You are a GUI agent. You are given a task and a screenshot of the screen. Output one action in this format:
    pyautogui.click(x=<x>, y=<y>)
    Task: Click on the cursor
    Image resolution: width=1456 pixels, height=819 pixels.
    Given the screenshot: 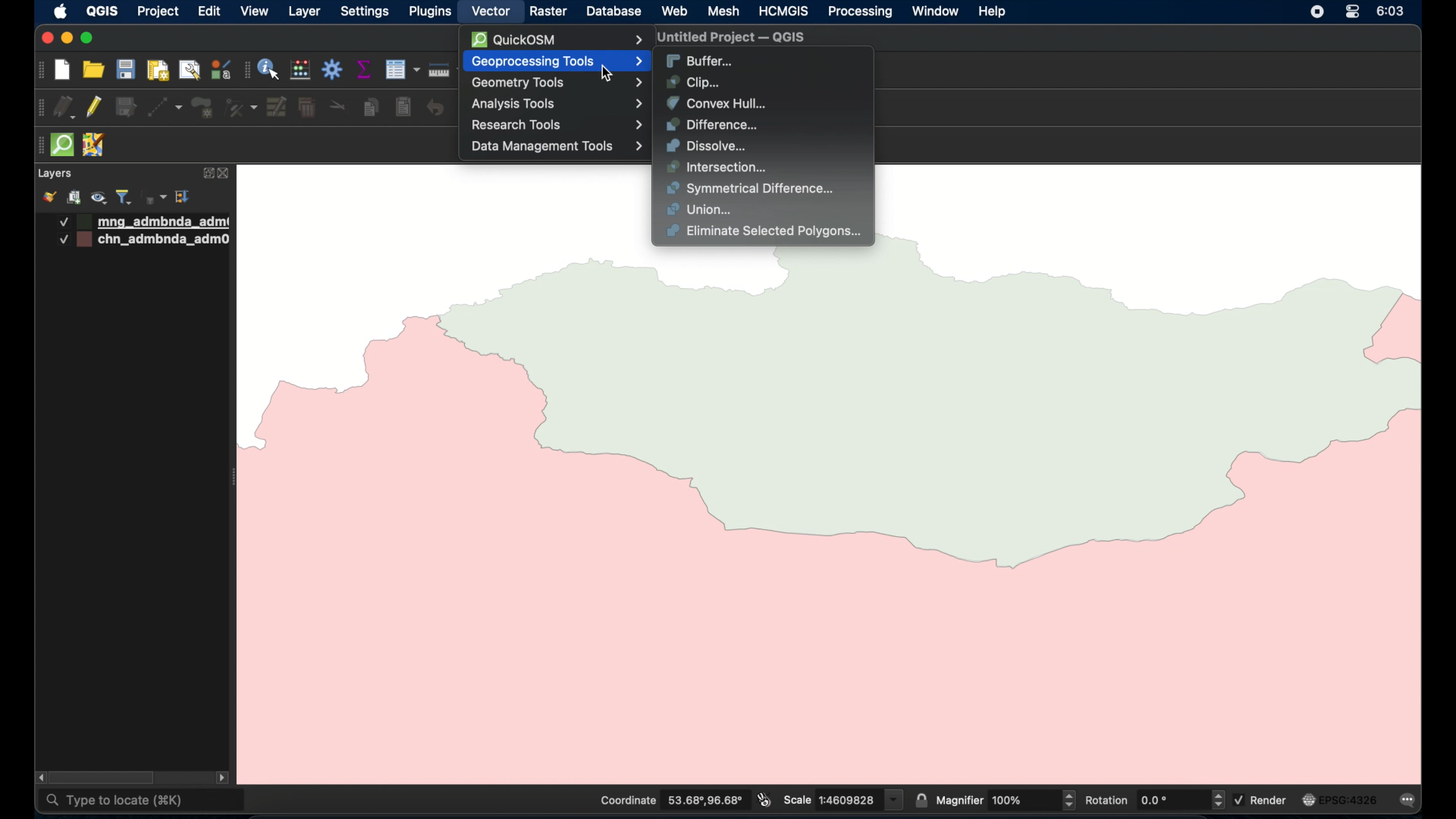 What is the action you would take?
    pyautogui.click(x=613, y=76)
    